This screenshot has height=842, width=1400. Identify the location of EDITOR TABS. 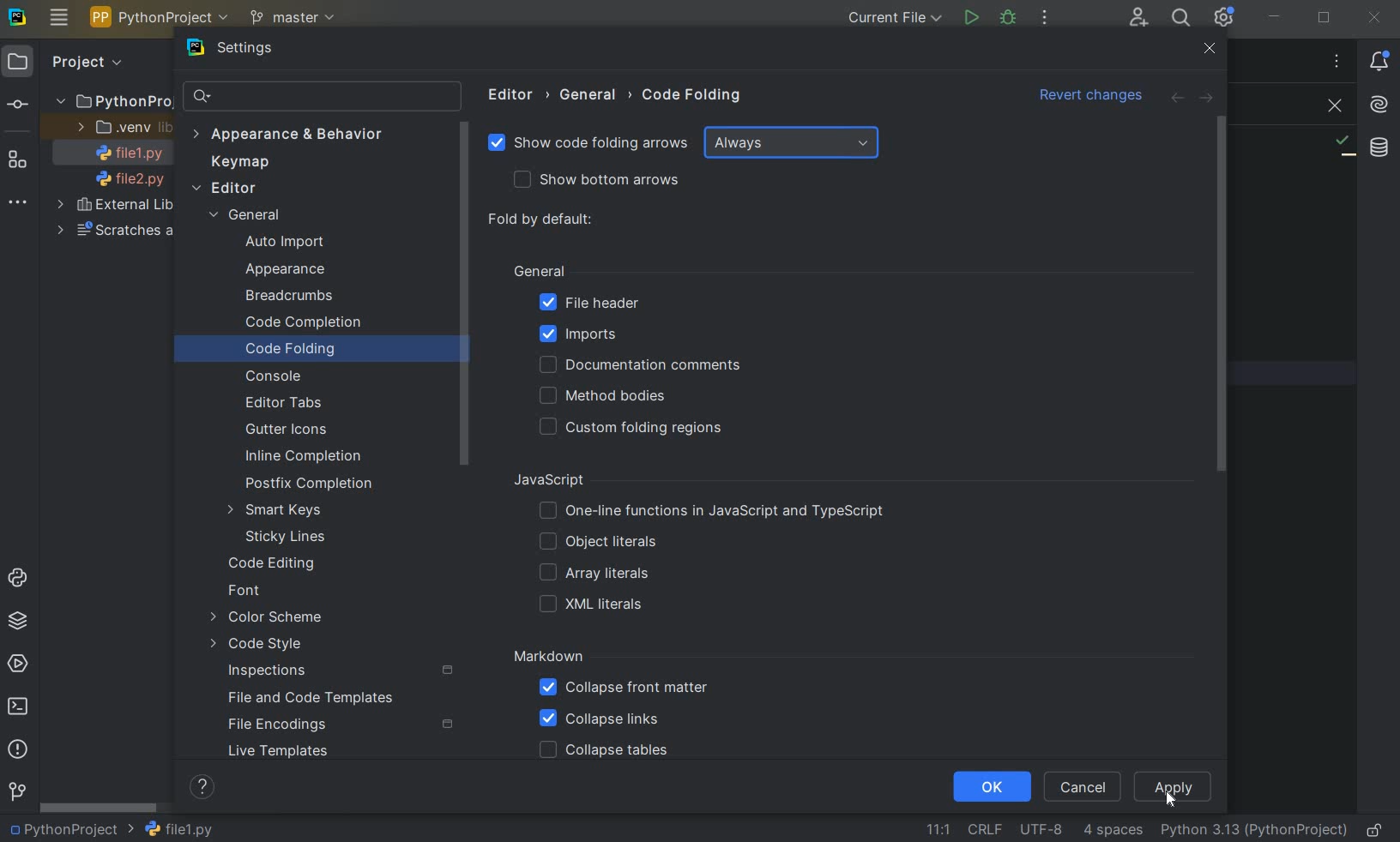
(283, 400).